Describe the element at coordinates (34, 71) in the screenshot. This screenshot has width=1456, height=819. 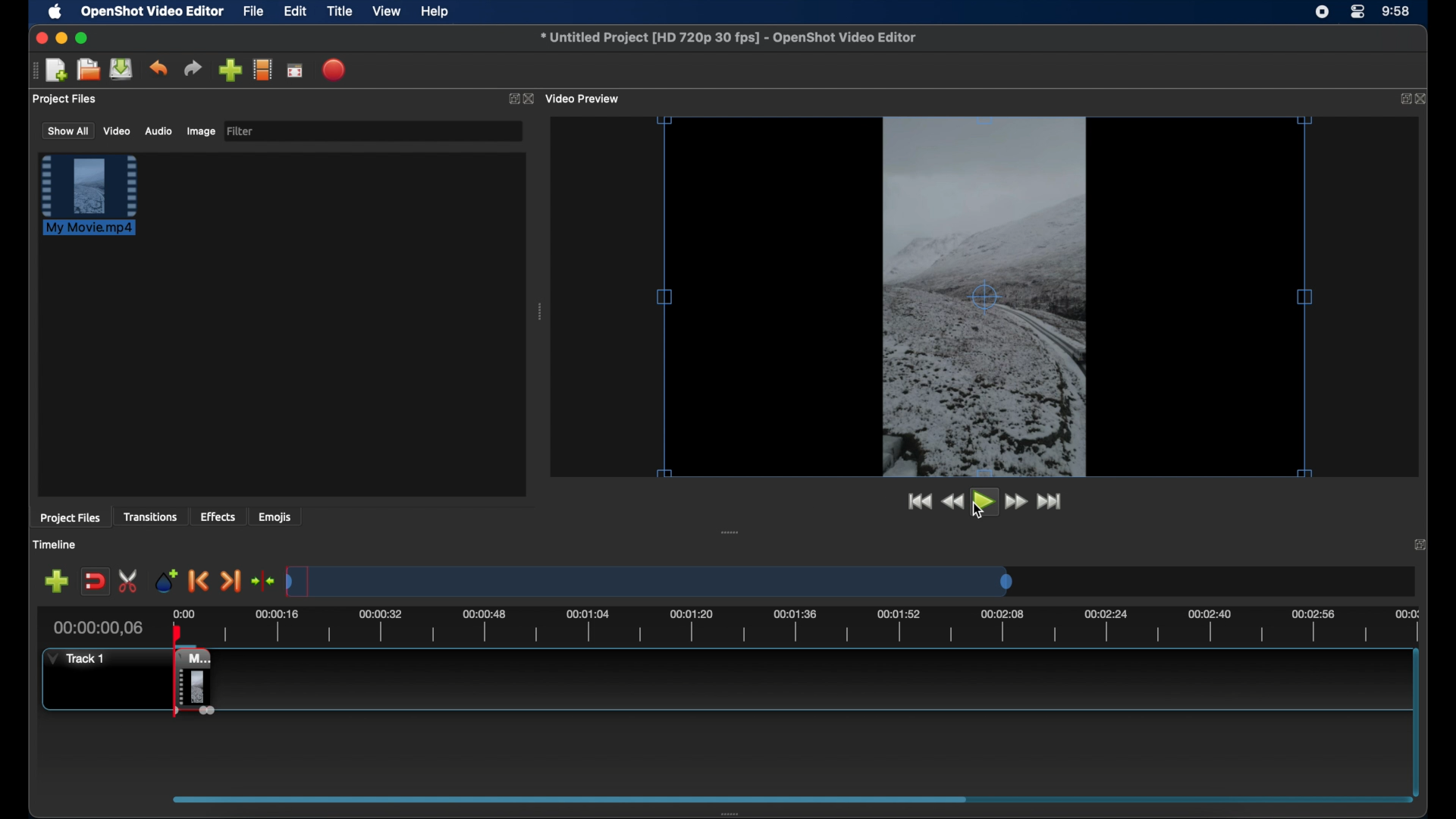
I see `drag handle` at that location.